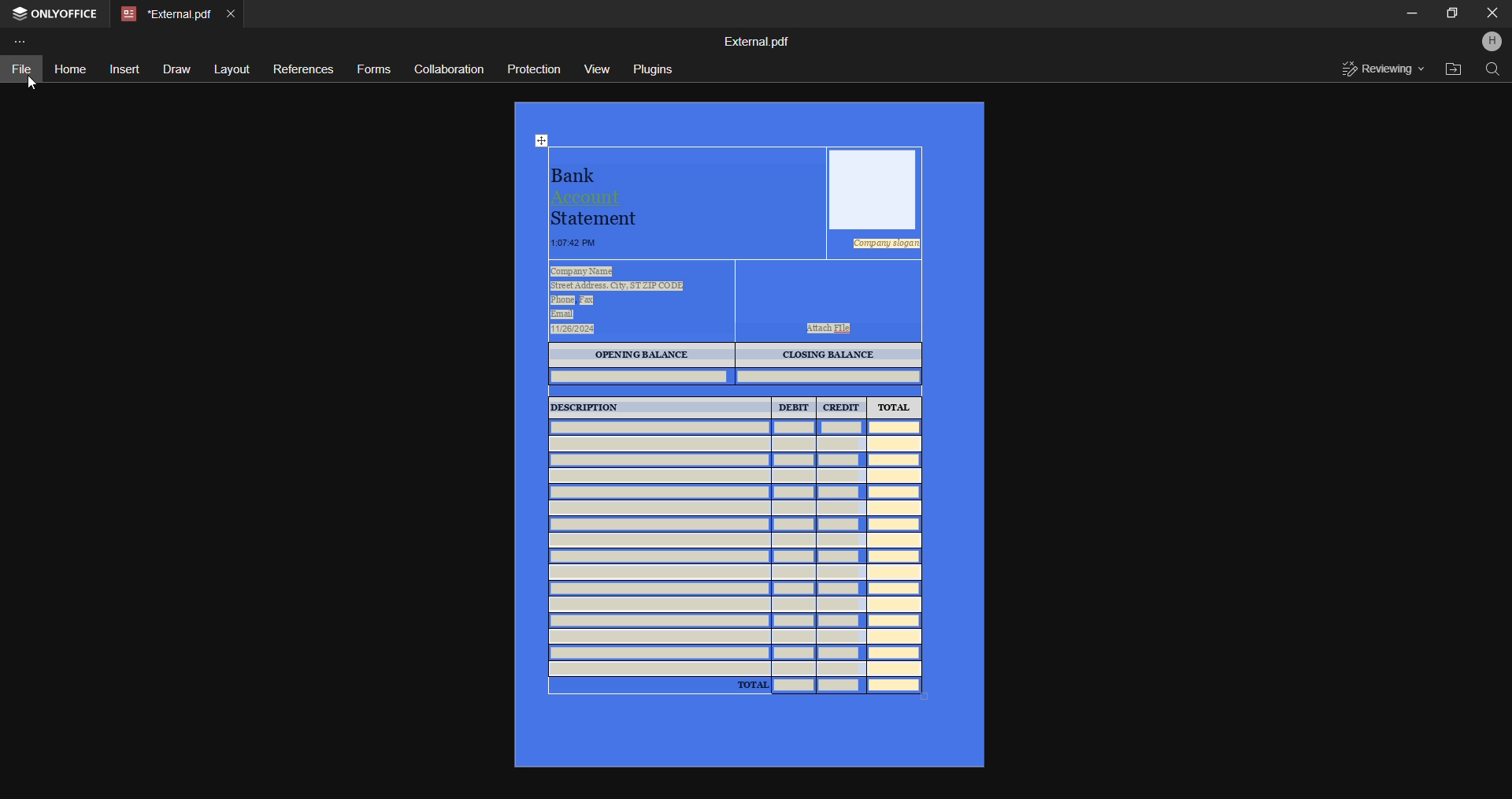  I want to click on Close, so click(1492, 13).